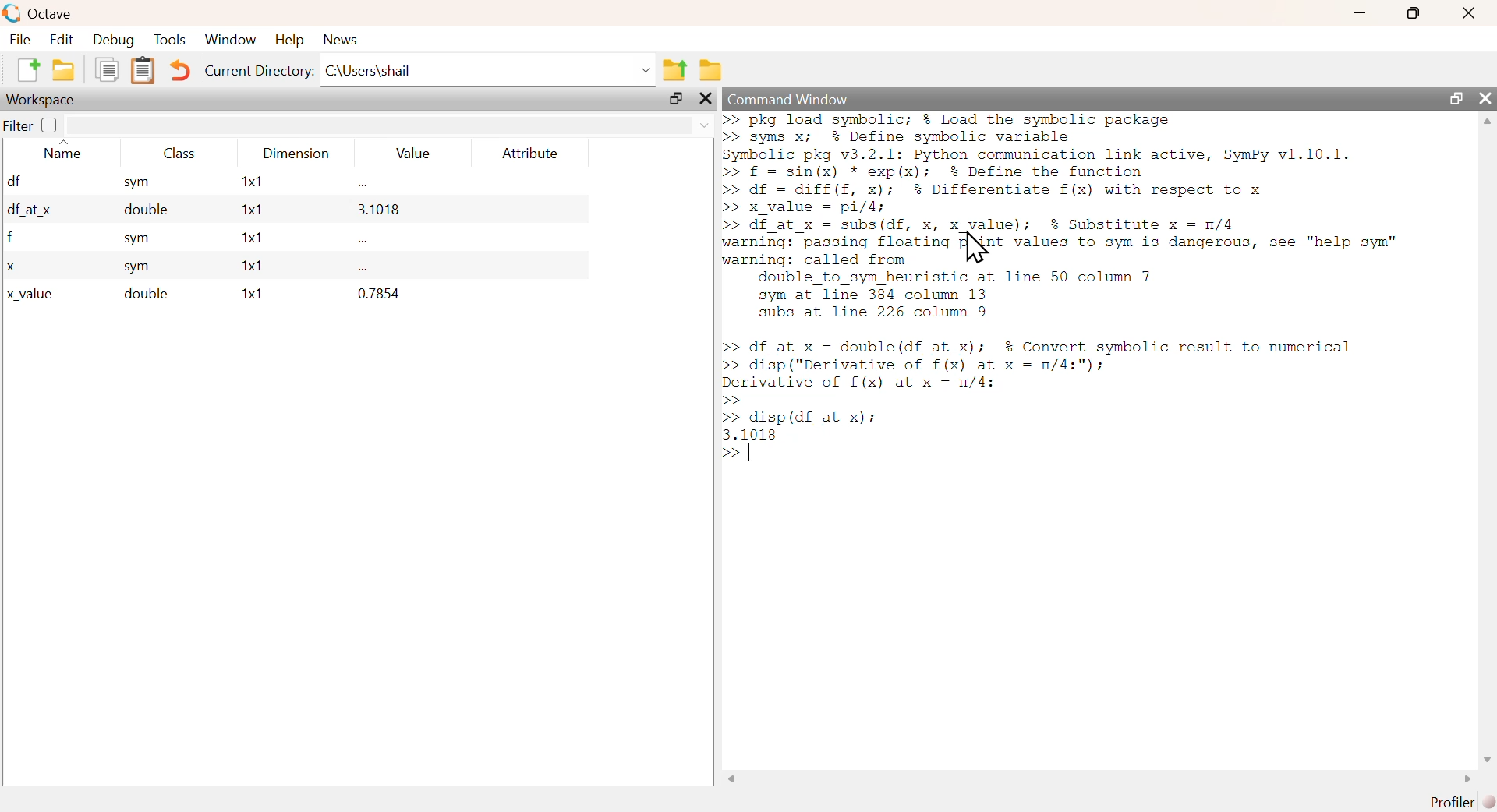 This screenshot has height=812, width=1497. I want to click on scroll down, so click(1487, 759).